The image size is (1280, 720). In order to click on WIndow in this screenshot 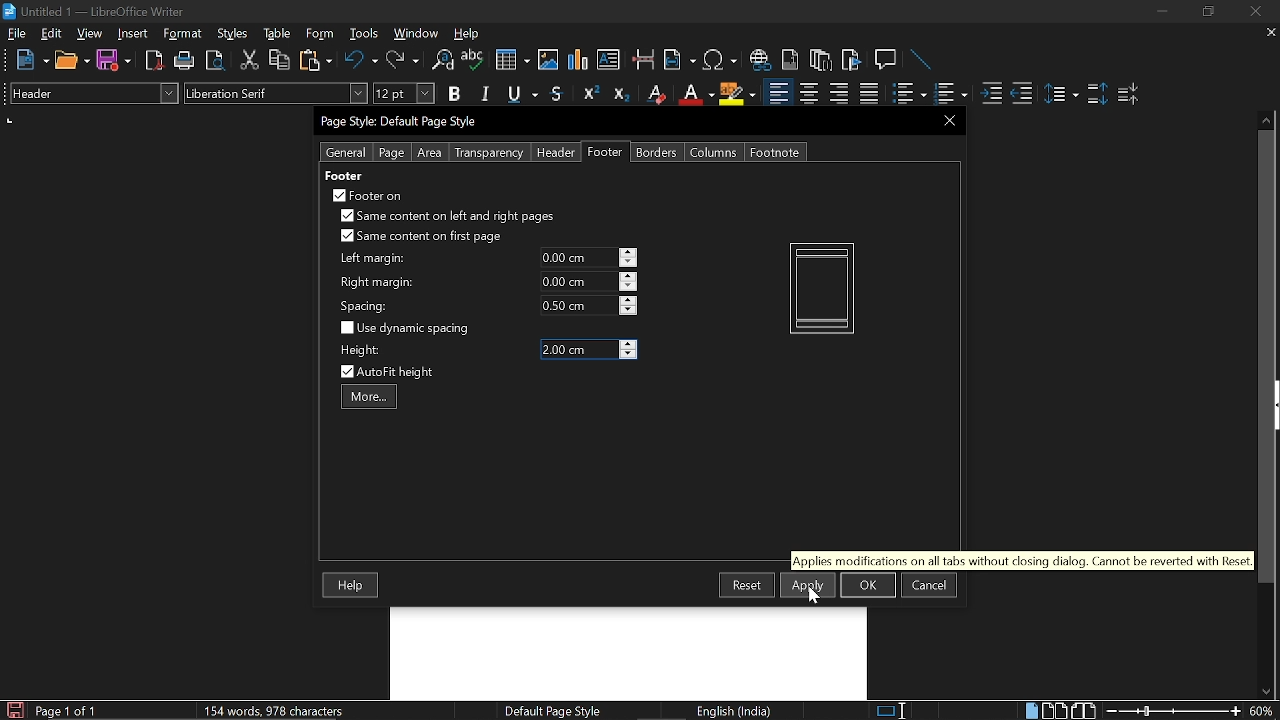, I will do `click(417, 33)`.